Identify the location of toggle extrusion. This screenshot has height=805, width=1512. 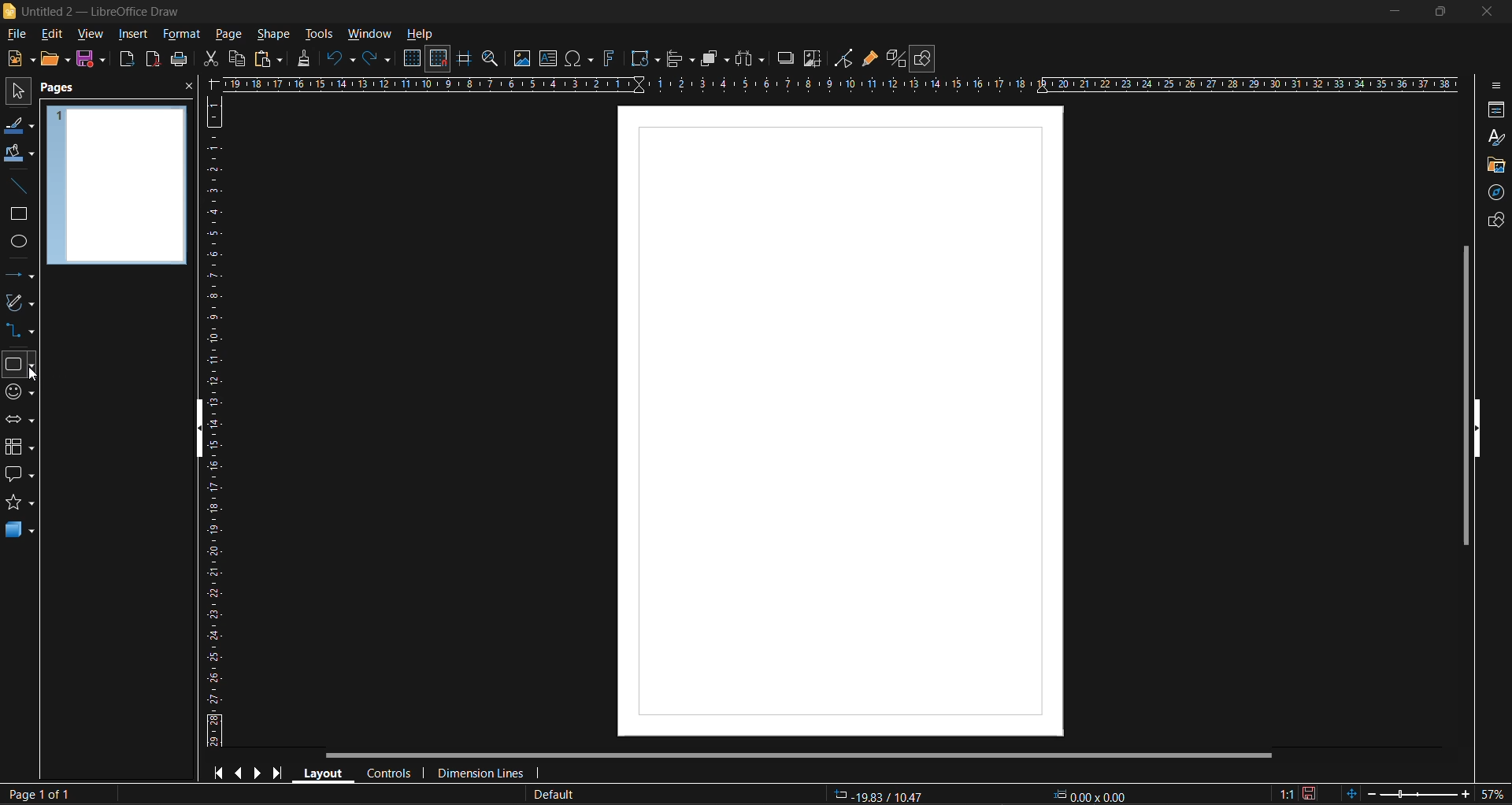
(894, 58).